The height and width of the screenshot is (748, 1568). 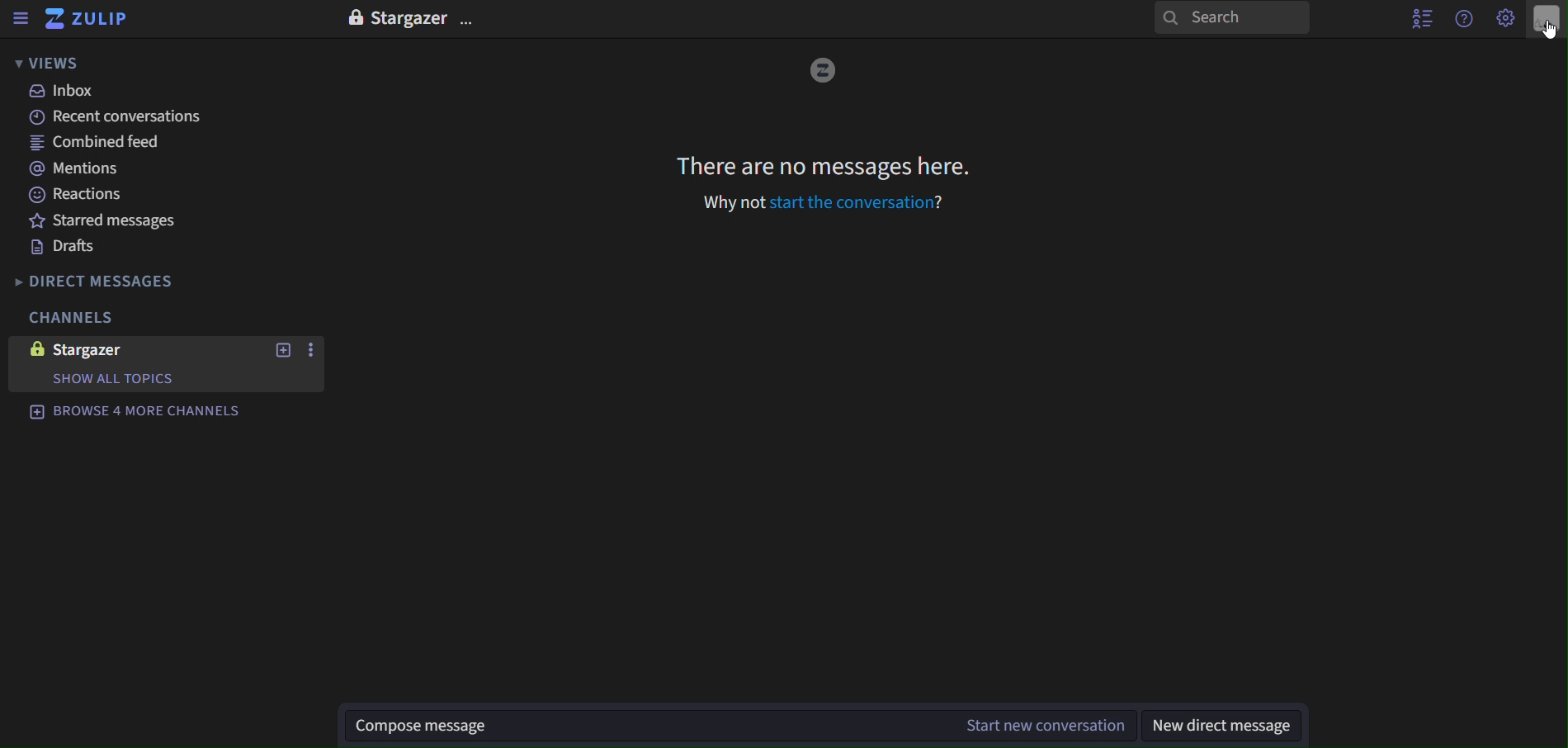 What do you see at coordinates (1465, 19) in the screenshot?
I see `get help` at bounding box center [1465, 19].